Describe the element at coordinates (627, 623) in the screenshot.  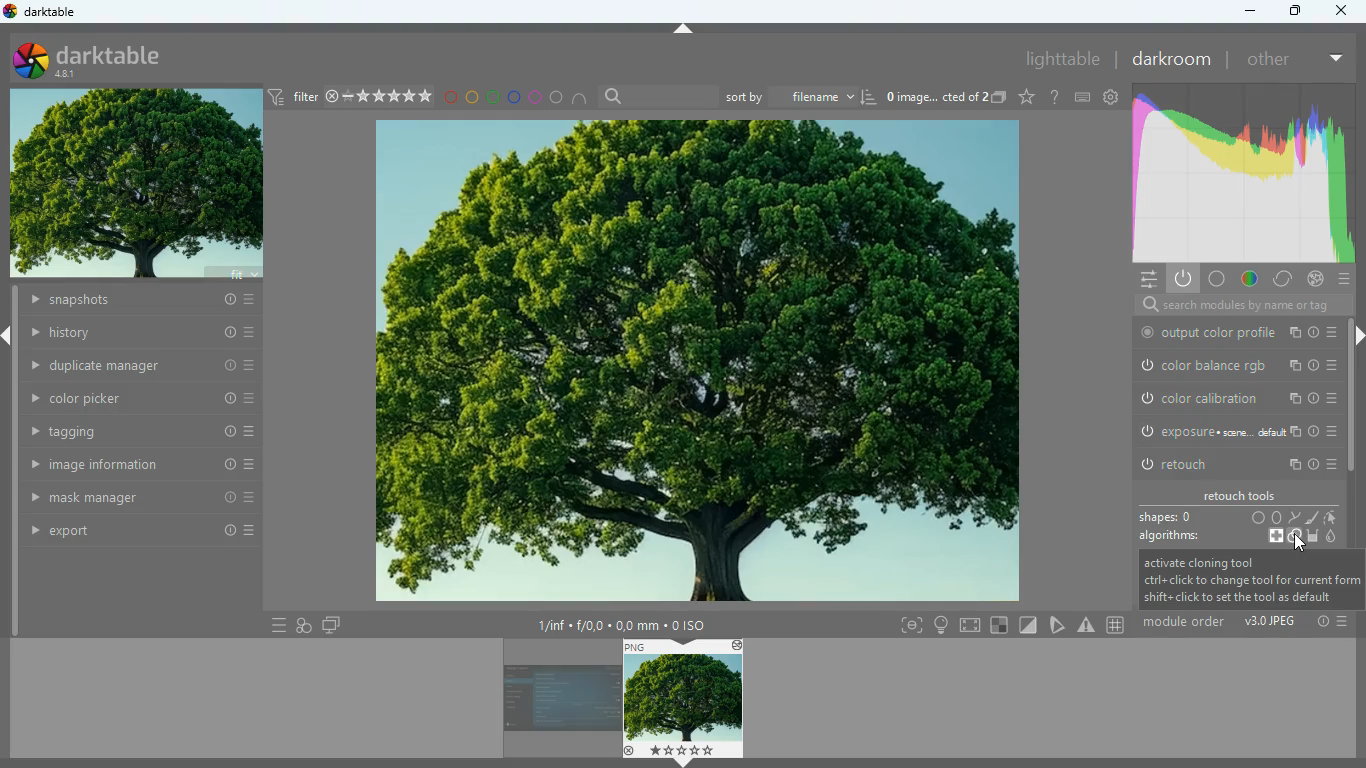
I see `image details` at that location.